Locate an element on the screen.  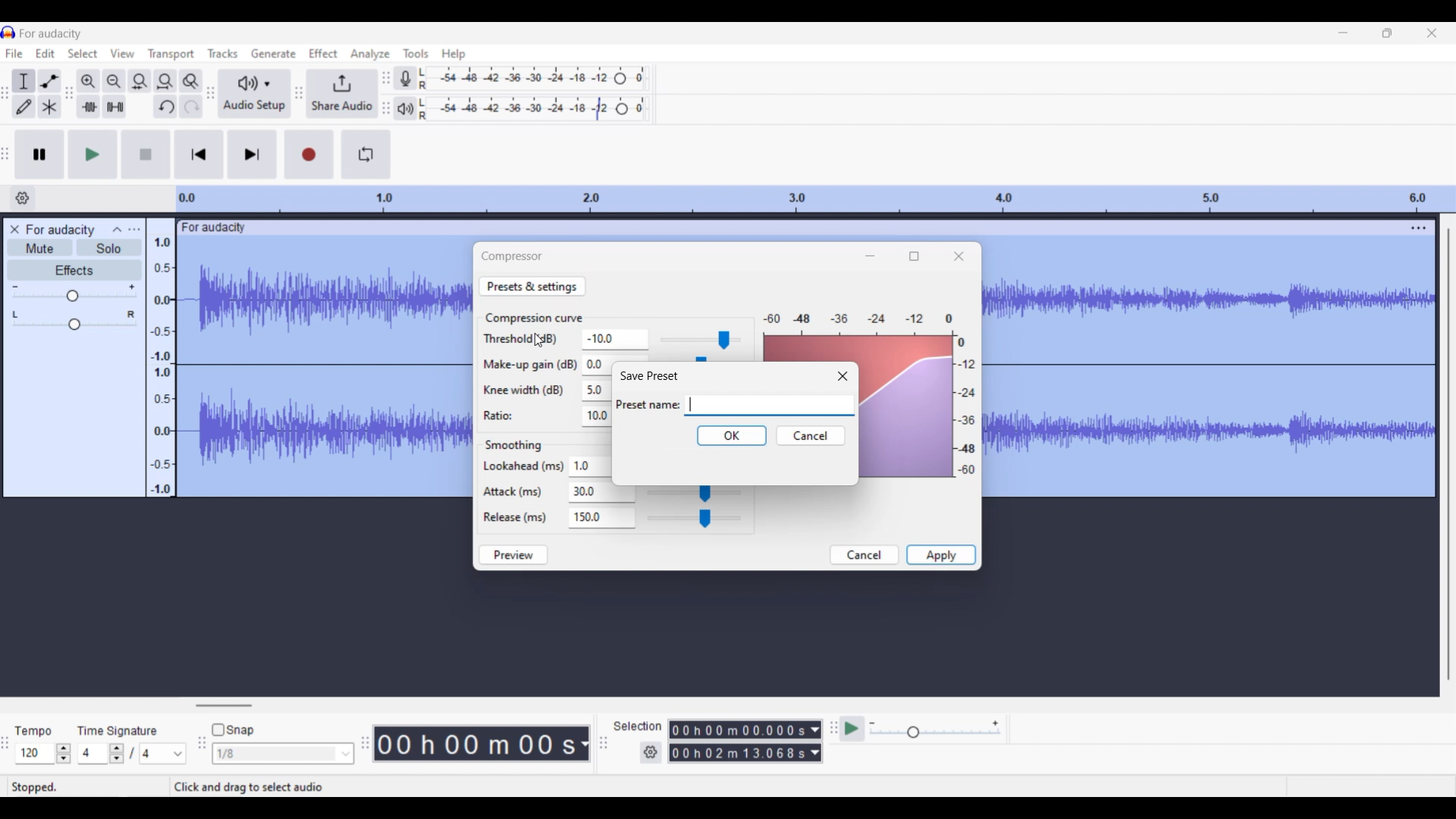
Envelop tool is located at coordinates (50, 81).